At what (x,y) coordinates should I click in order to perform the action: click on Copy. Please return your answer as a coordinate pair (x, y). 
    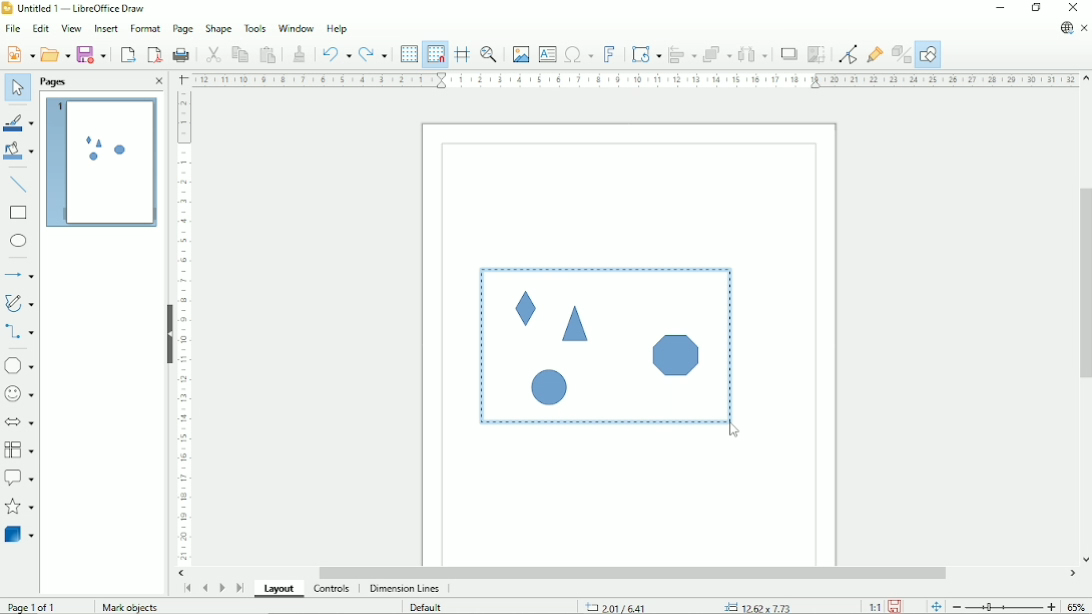
    Looking at the image, I should click on (239, 53).